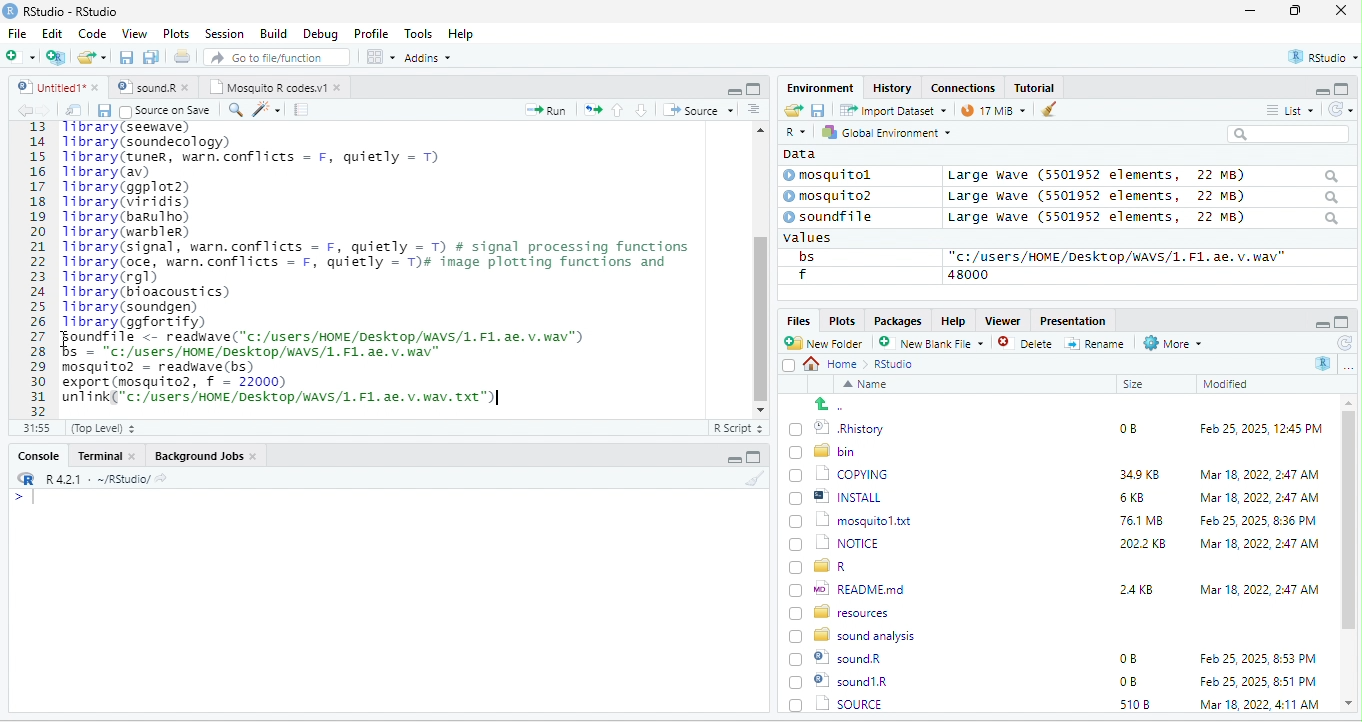 The height and width of the screenshot is (722, 1362). I want to click on brush, so click(1044, 111).